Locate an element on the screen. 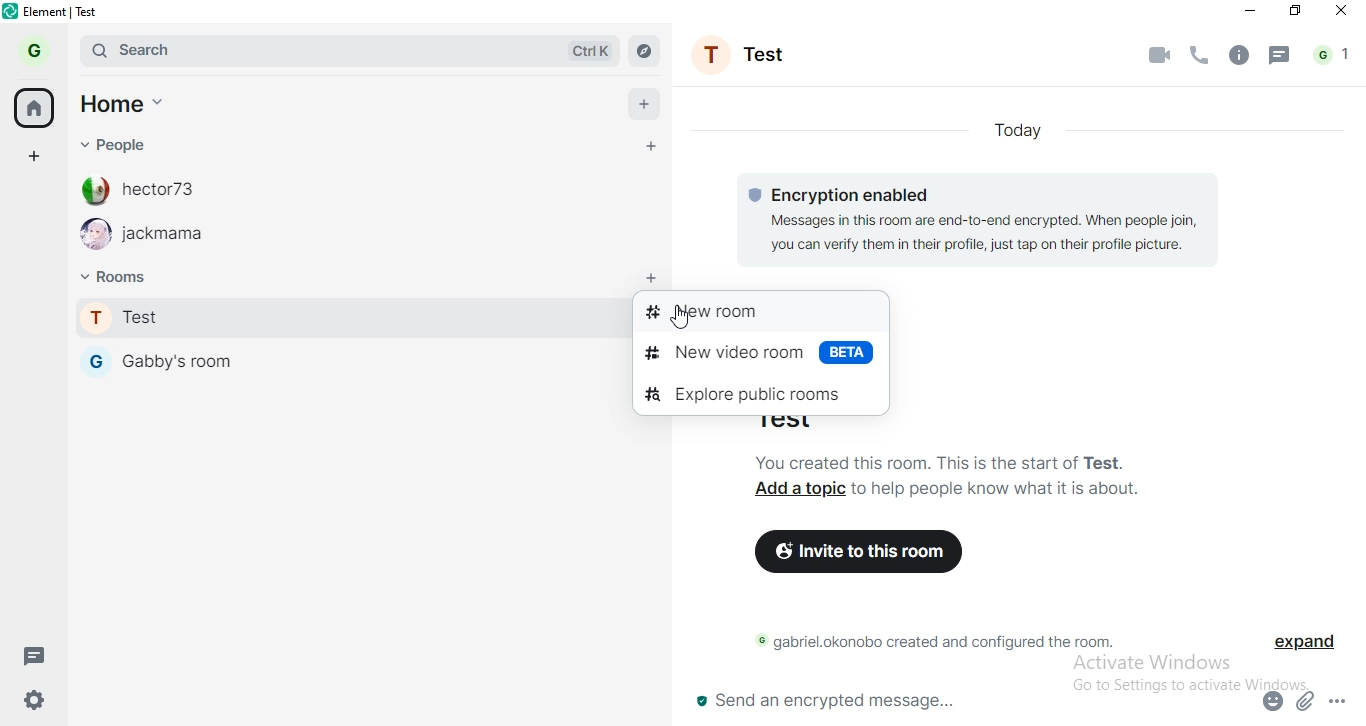 This screenshot has height=726, width=1366. phone is located at coordinates (1201, 54).